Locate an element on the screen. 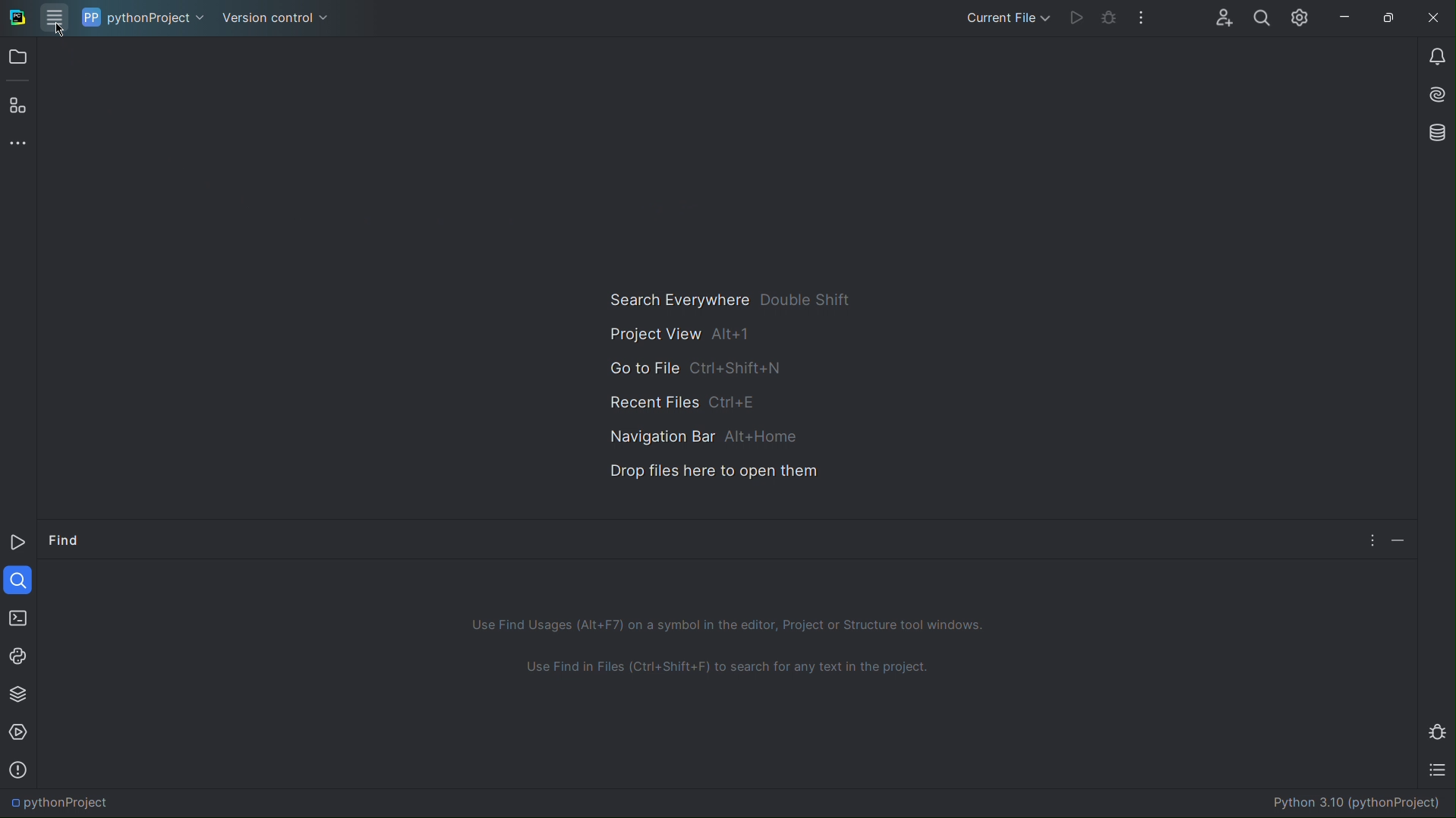 The width and height of the screenshot is (1456, 818). Minimize is located at coordinates (1399, 537).